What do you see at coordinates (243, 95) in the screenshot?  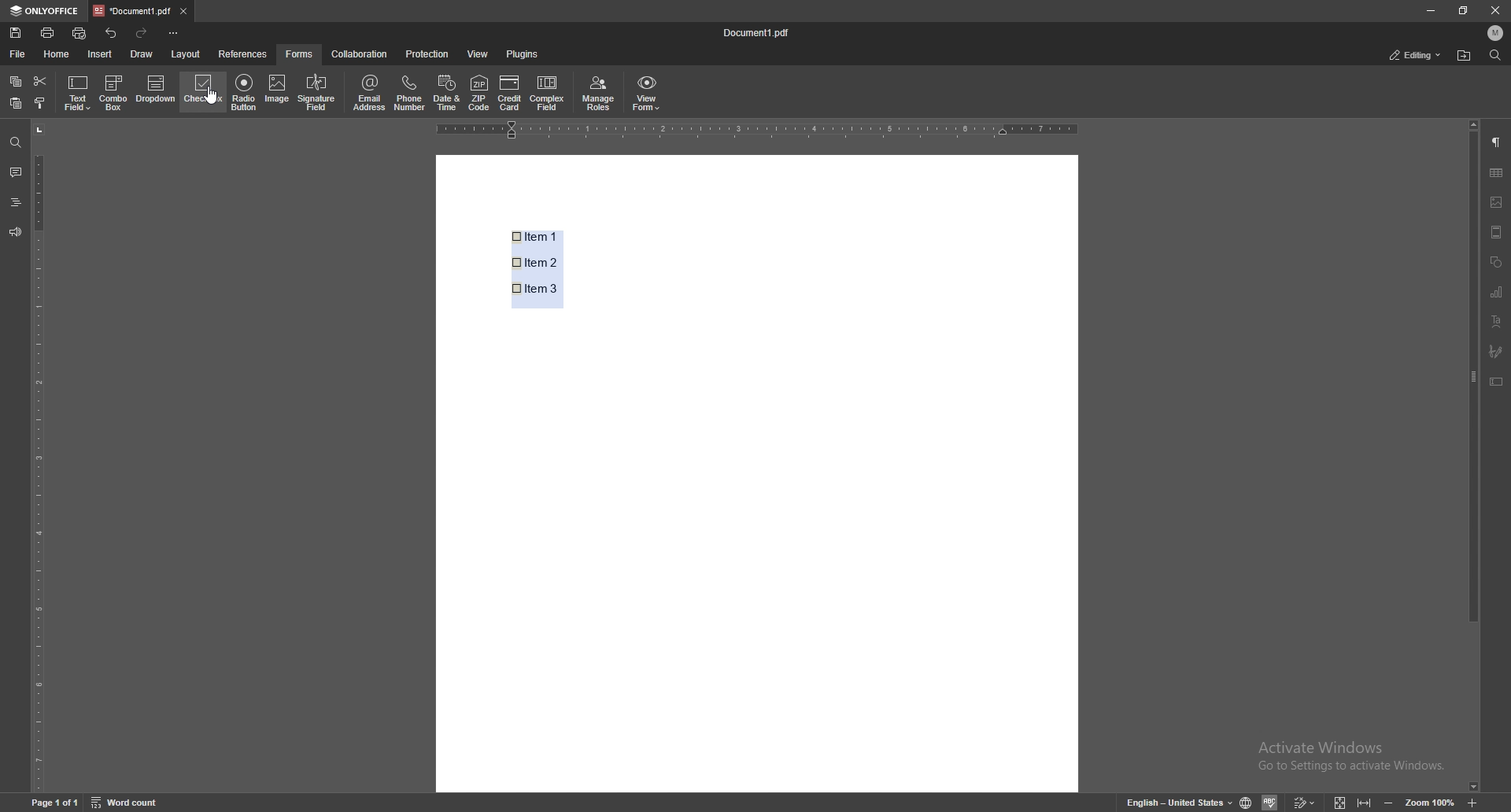 I see `radio button` at bounding box center [243, 95].